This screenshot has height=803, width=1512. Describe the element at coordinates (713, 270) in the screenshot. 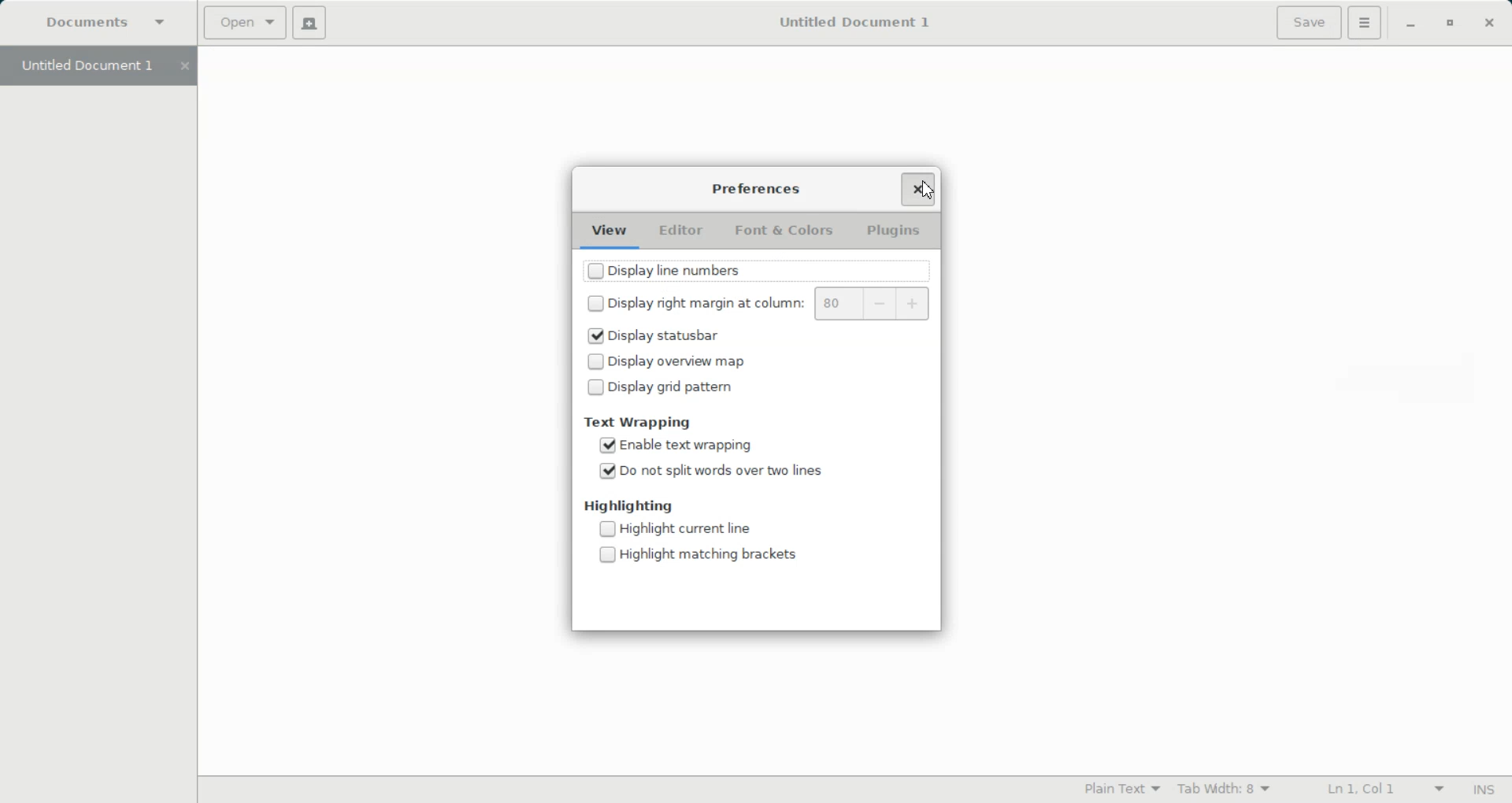

I see `uncheck Enable Display line number` at that location.